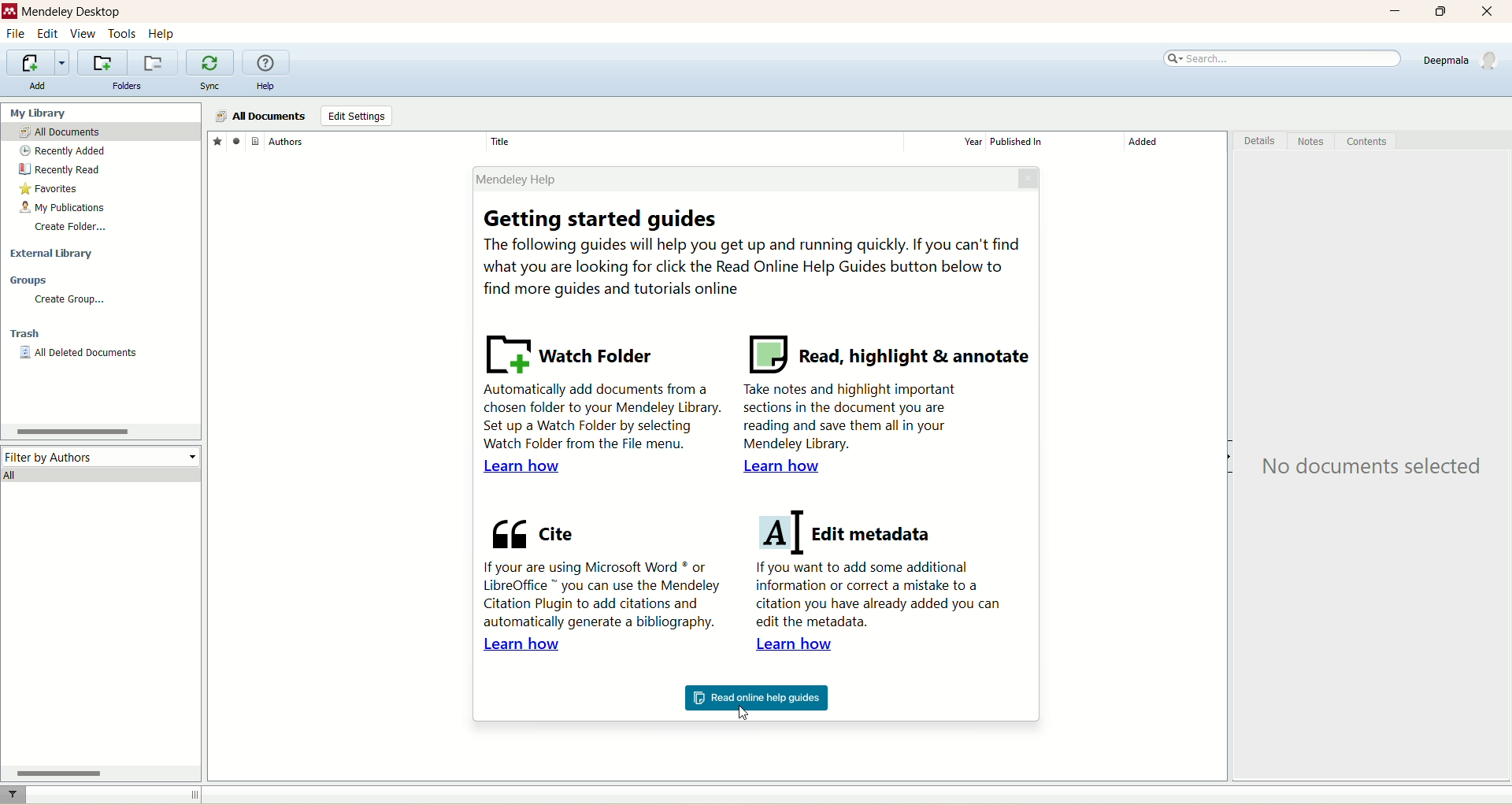 The image size is (1512, 805). Describe the element at coordinates (888, 354) in the screenshot. I see `read, highlight & annotate` at that location.